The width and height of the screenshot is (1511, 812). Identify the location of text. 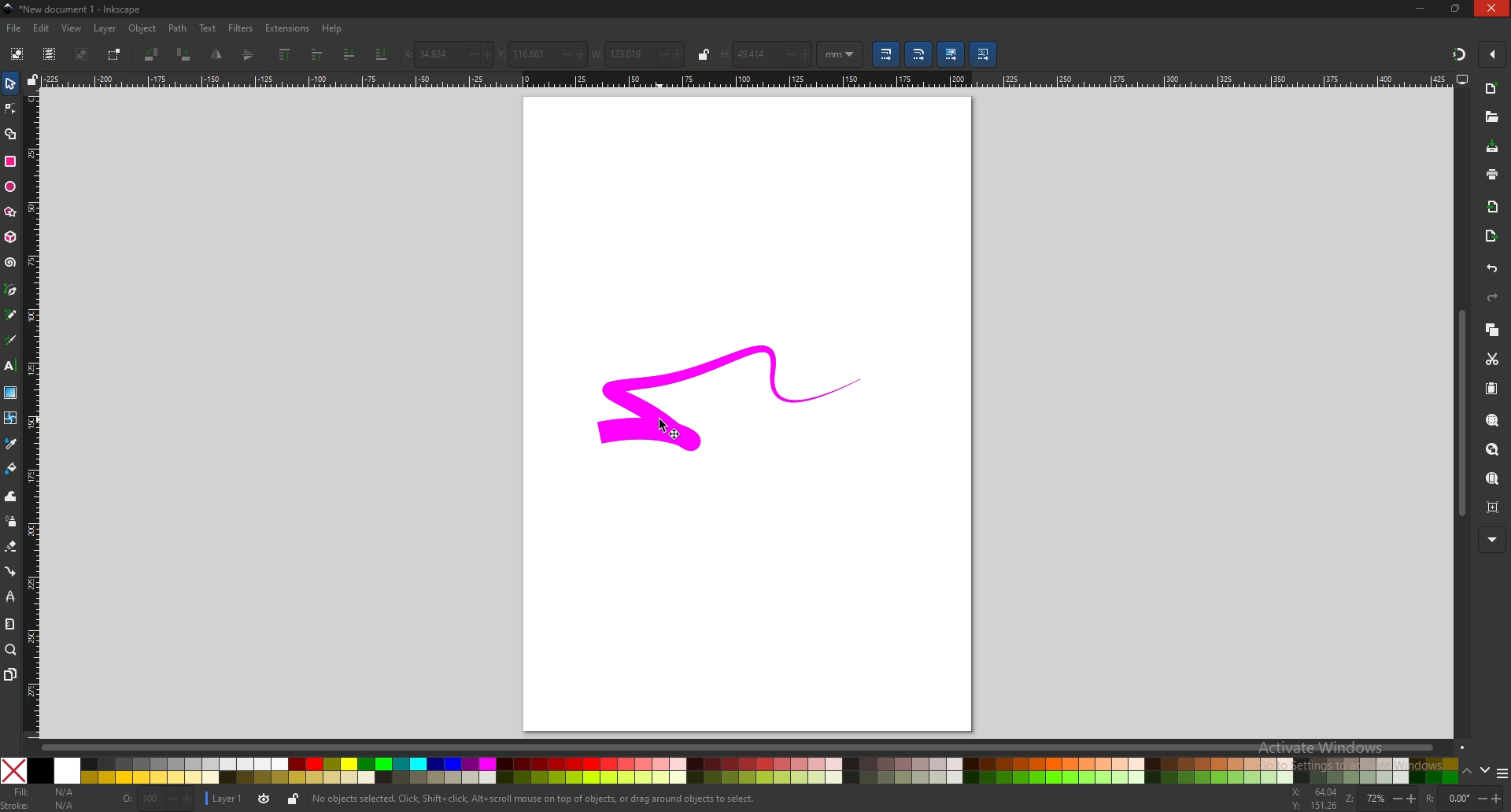
(209, 28).